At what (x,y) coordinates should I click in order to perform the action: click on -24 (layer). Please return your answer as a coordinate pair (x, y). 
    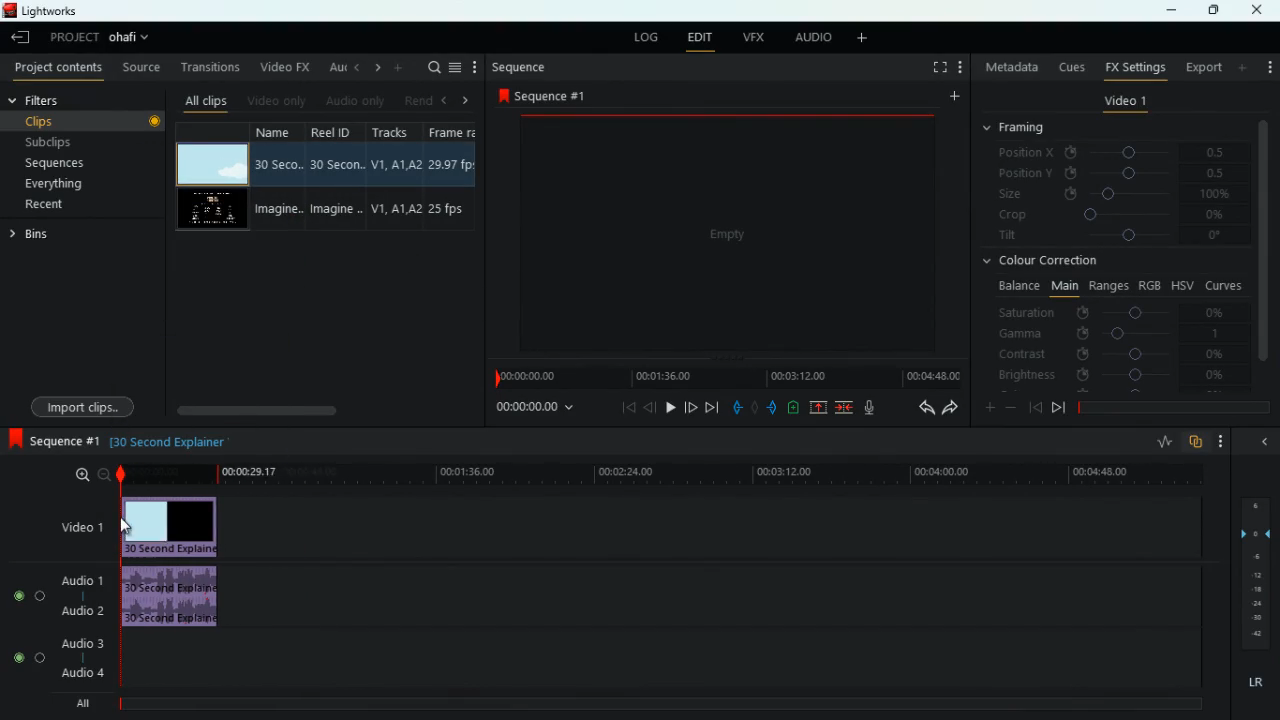
    Looking at the image, I should click on (1252, 604).